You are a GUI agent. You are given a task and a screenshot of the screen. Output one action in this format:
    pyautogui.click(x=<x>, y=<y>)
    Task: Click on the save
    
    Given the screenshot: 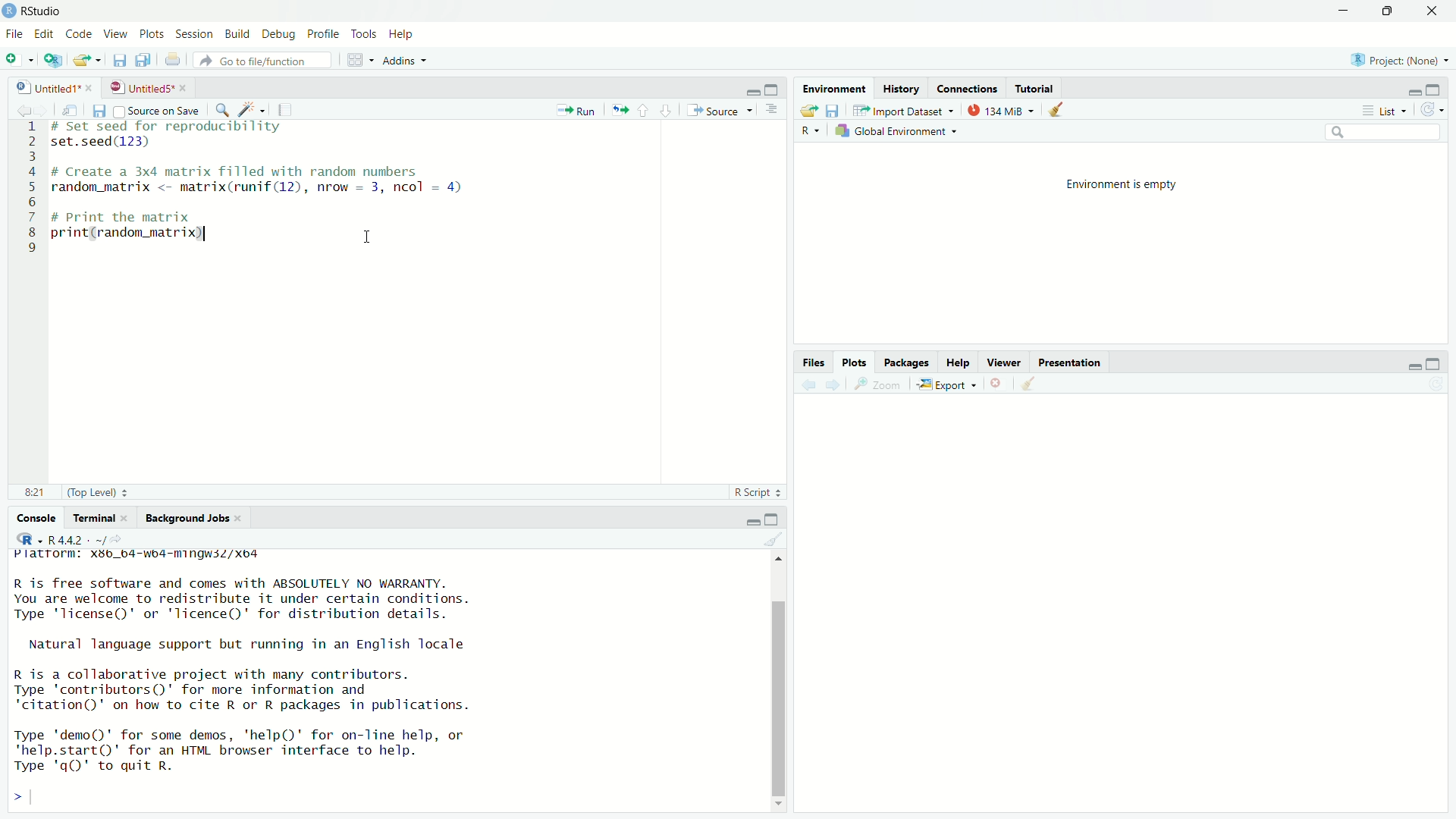 What is the action you would take?
    pyautogui.click(x=98, y=111)
    